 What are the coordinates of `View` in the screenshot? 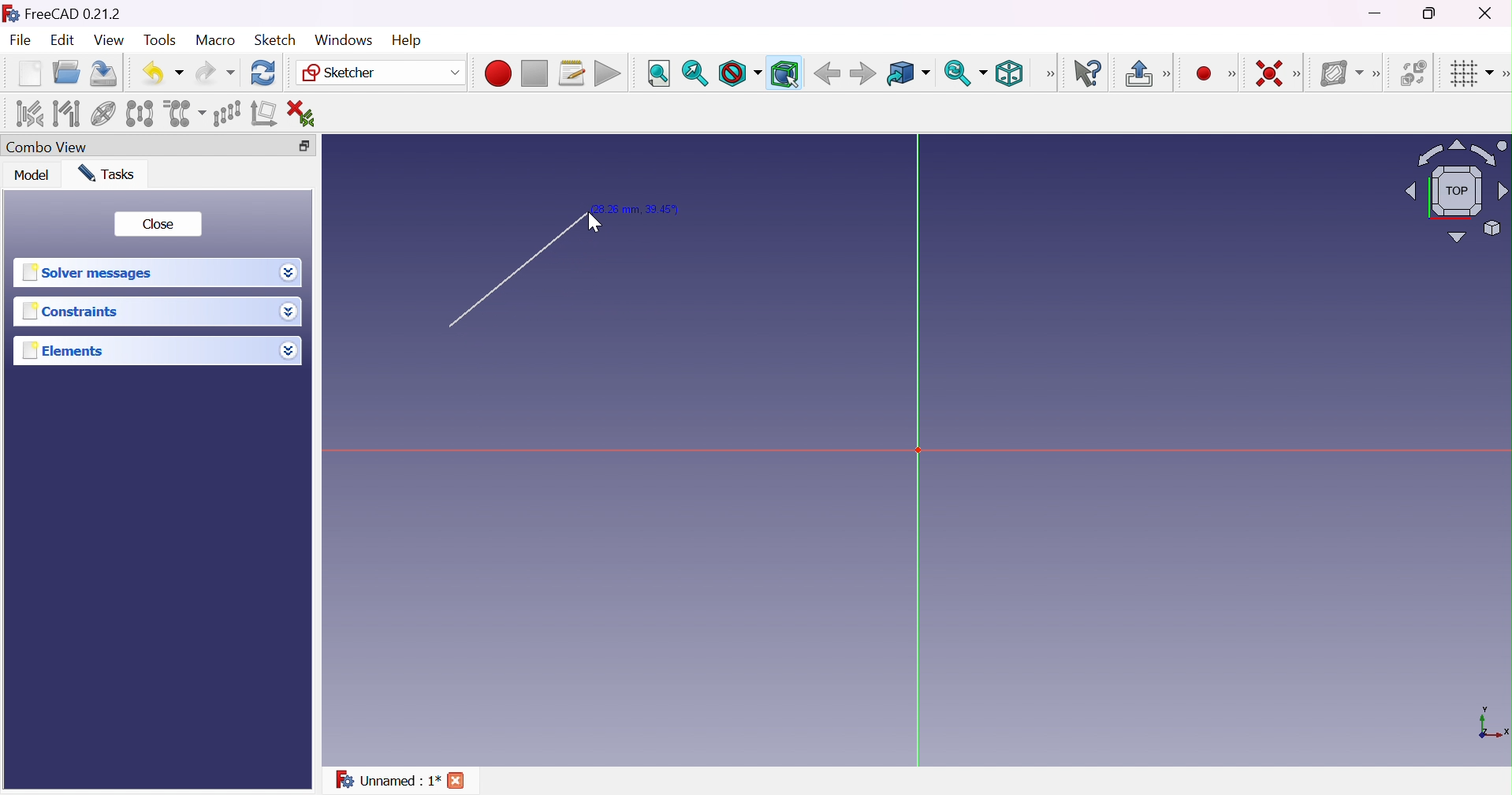 It's located at (109, 40).